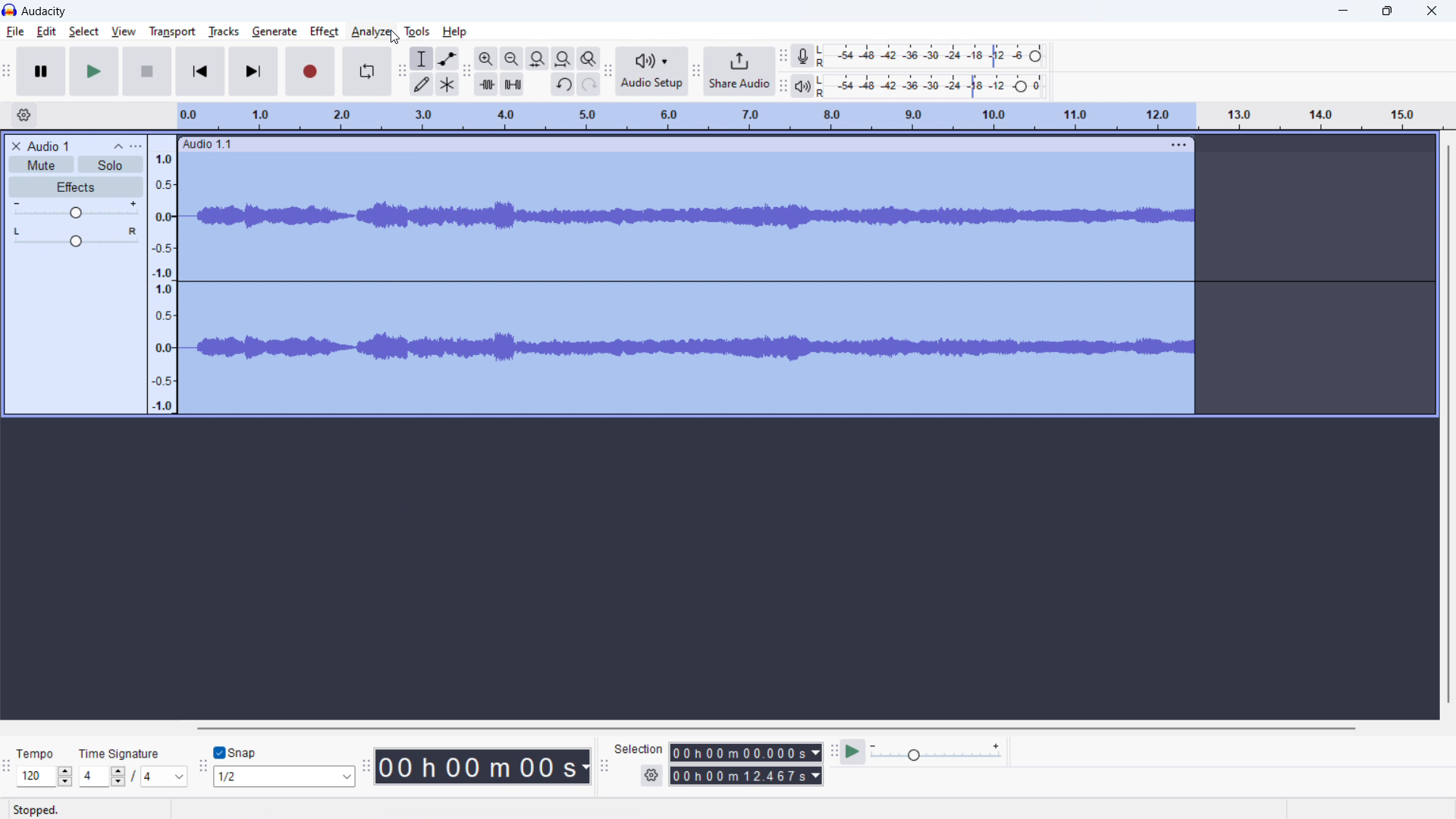 Image resolution: width=1456 pixels, height=819 pixels. What do you see at coordinates (588, 58) in the screenshot?
I see `toggle zoom` at bounding box center [588, 58].